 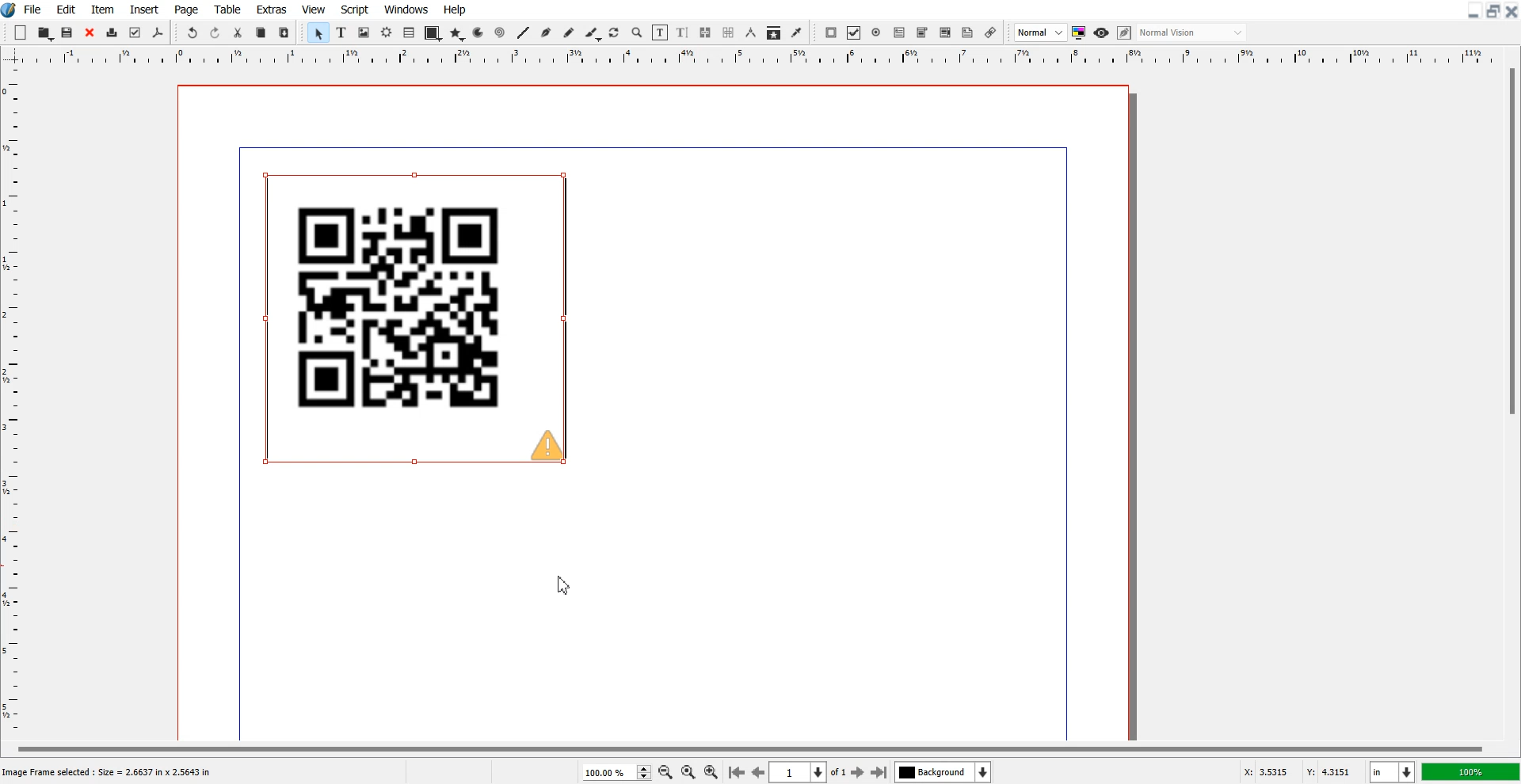 I want to click on Paste, so click(x=284, y=32).